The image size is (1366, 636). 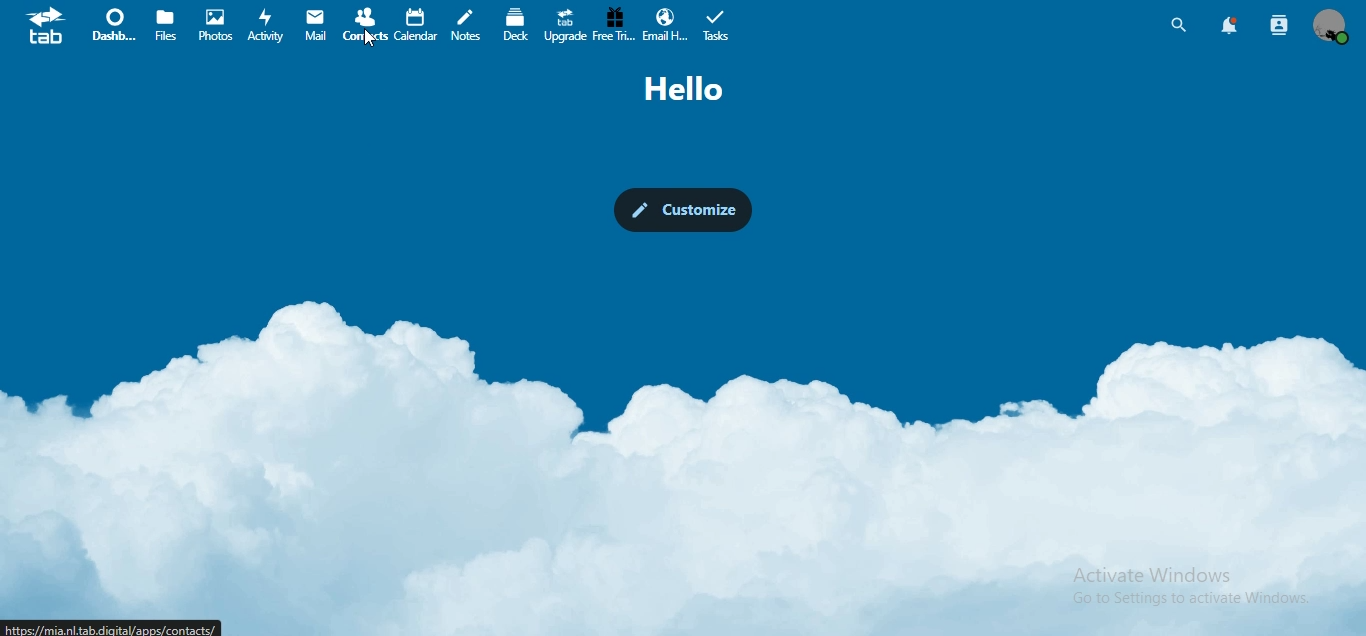 What do you see at coordinates (114, 24) in the screenshot?
I see `dashboard` at bounding box center [114, 24].